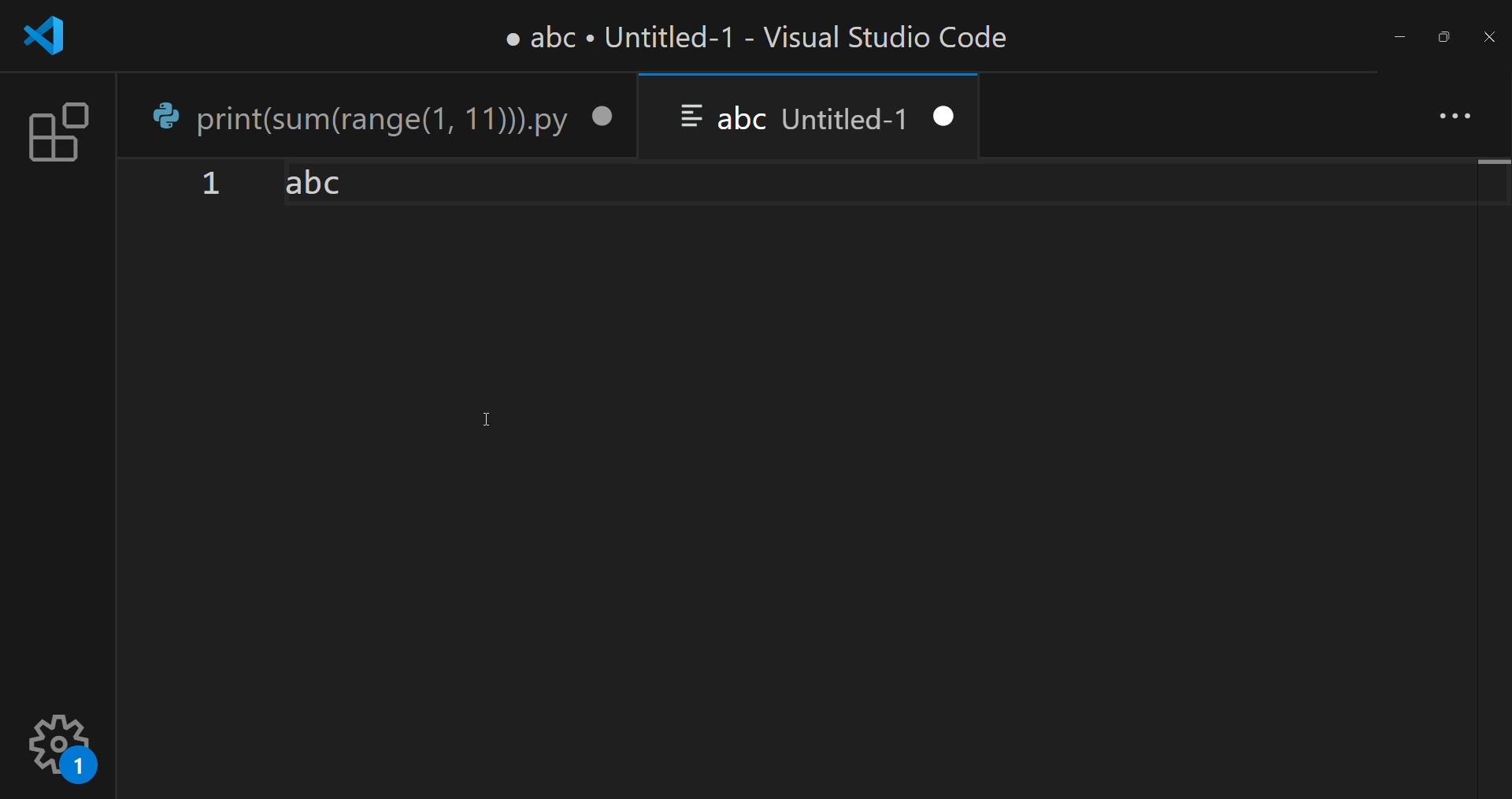  What do you see at coordinates (1488, 40) in the screenshot?
I see `close` at bounding box center [1488, 40].